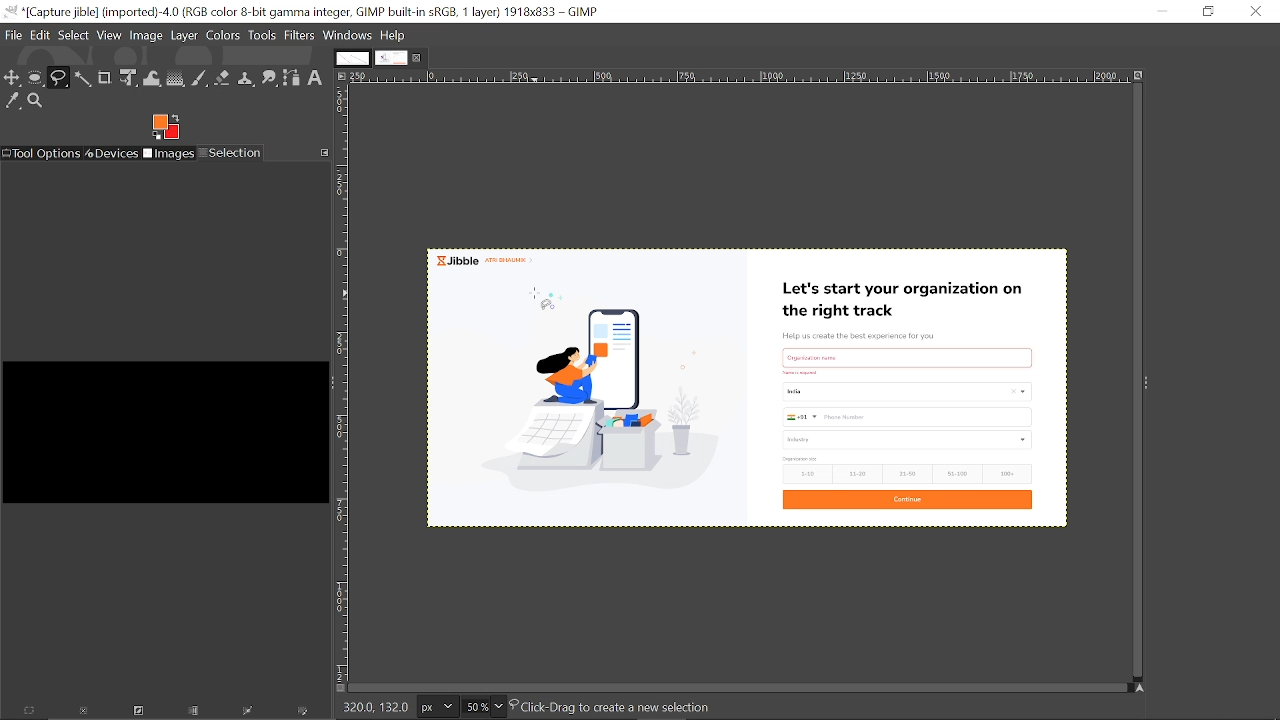 The height and width of the screenshot is (720, 1280). What do you see at coordinates (344, 384) in the screenshot?
I see `Vertical label` at bounding box center [344, 384].